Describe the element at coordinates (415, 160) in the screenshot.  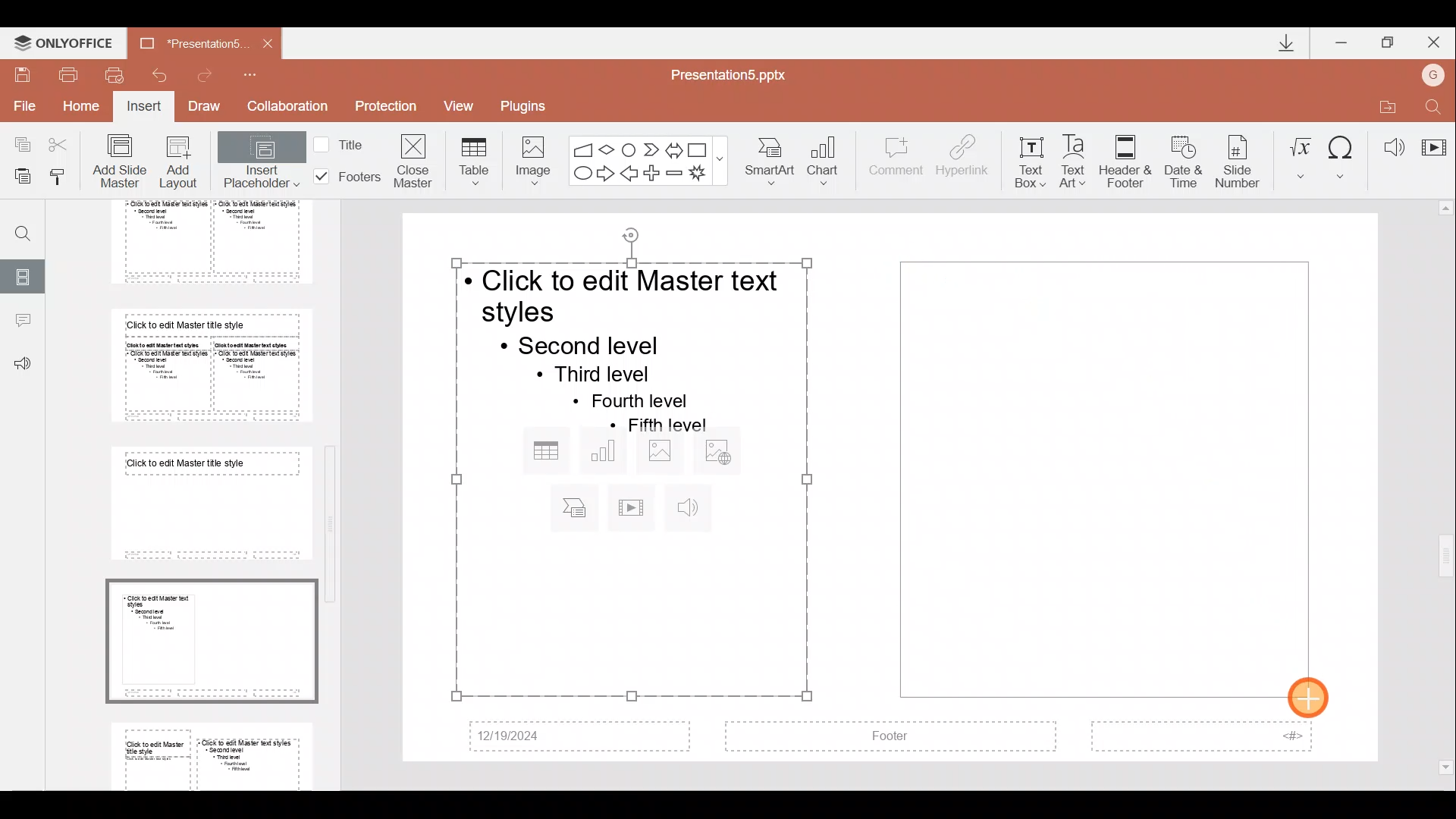
I see `Close masters` at that location.